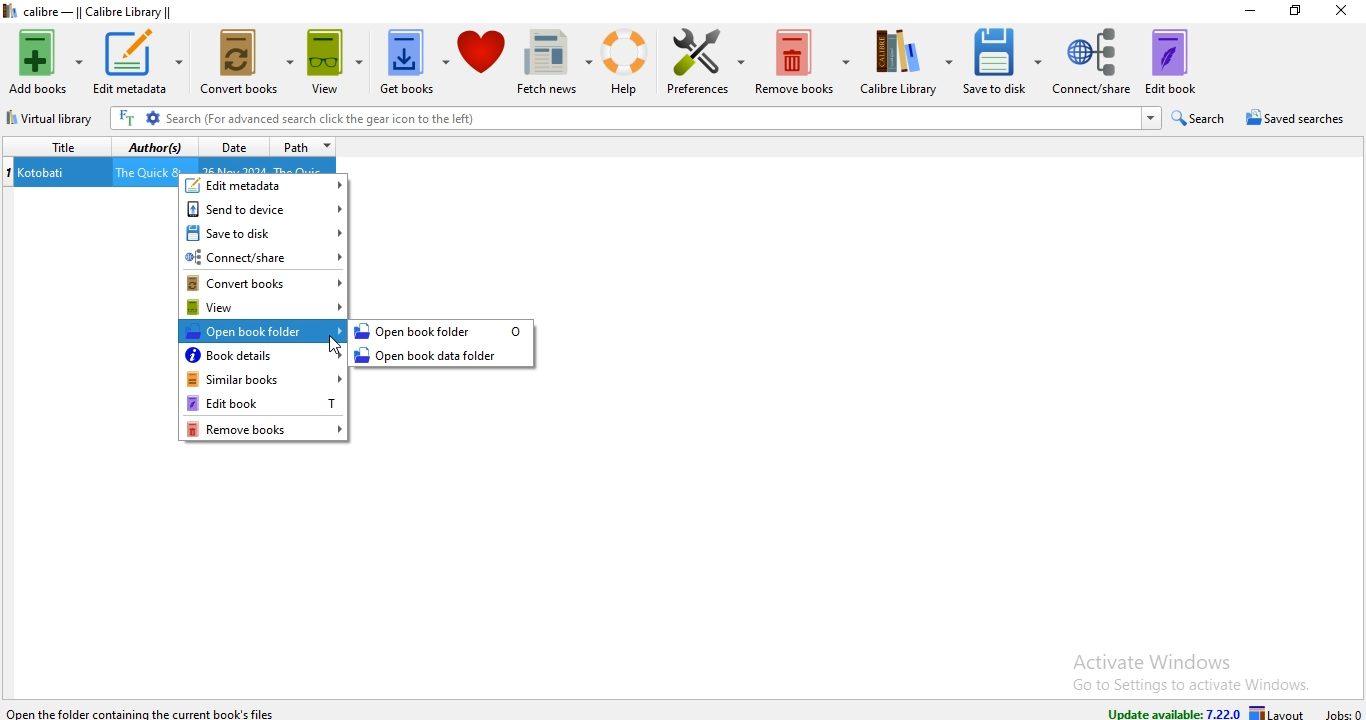 The height and width of the screenshot is (720, 1366). Describe the element at coordinates (245, 65) in the screenshot. I see `convert books` at that location.